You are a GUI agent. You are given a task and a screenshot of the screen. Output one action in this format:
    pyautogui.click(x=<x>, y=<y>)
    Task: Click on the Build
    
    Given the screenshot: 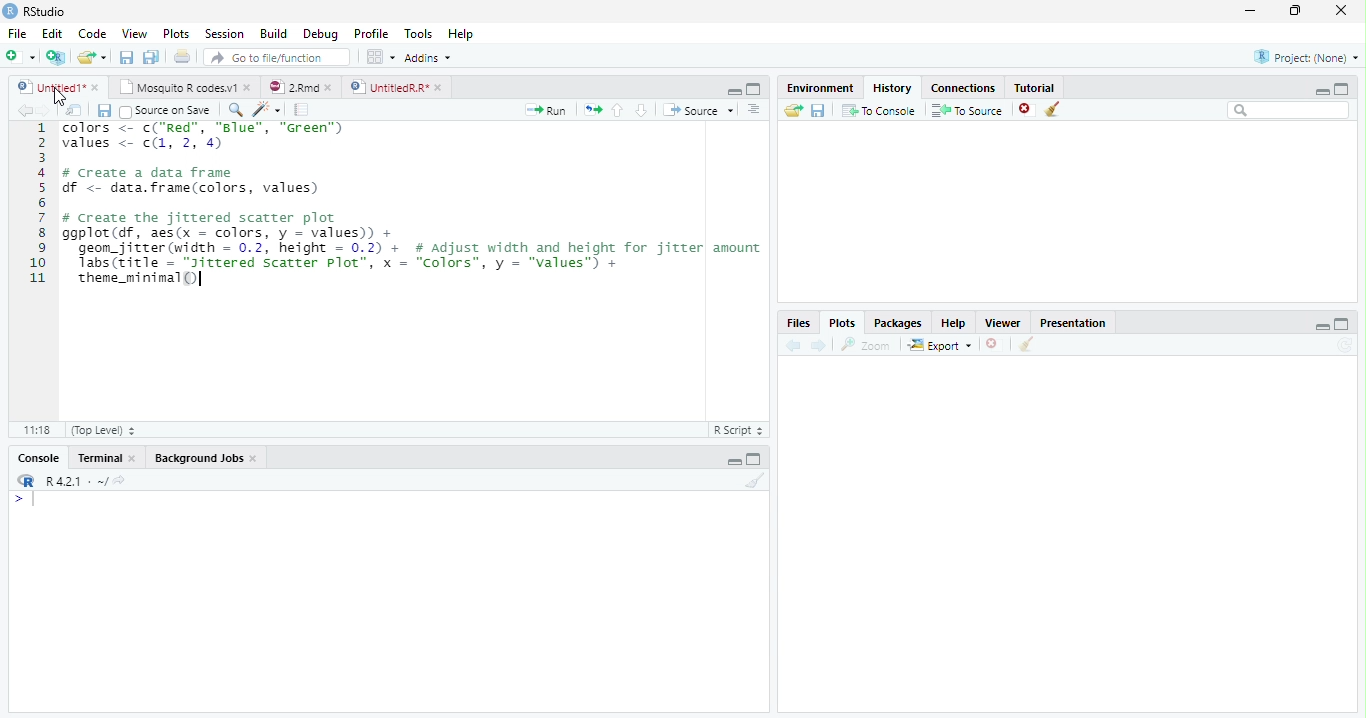 What is the action you would take?
    pyautogui.click(x=272, y=33)
    